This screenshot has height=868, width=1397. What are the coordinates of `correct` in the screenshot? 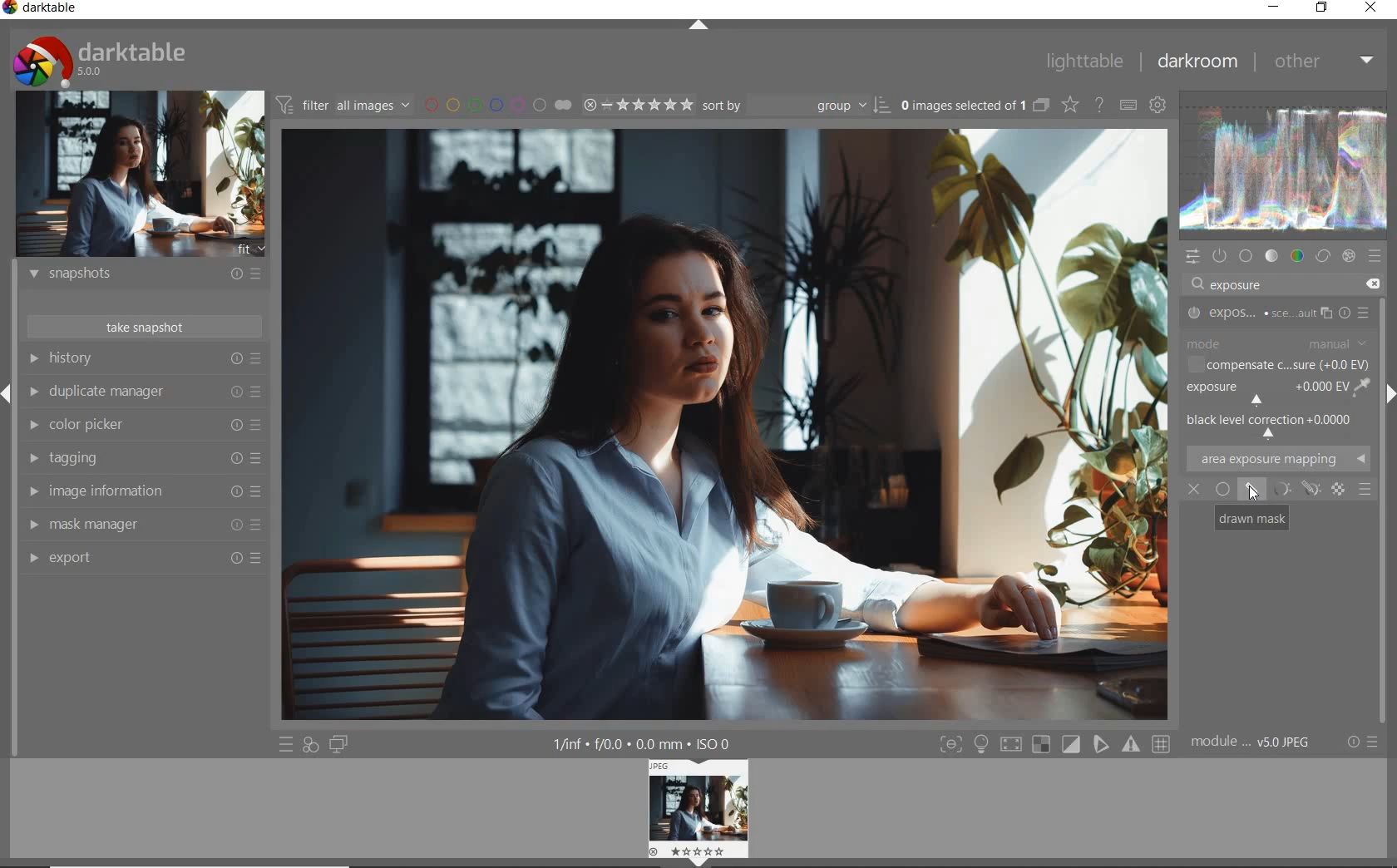 It's located at (1321, 256).